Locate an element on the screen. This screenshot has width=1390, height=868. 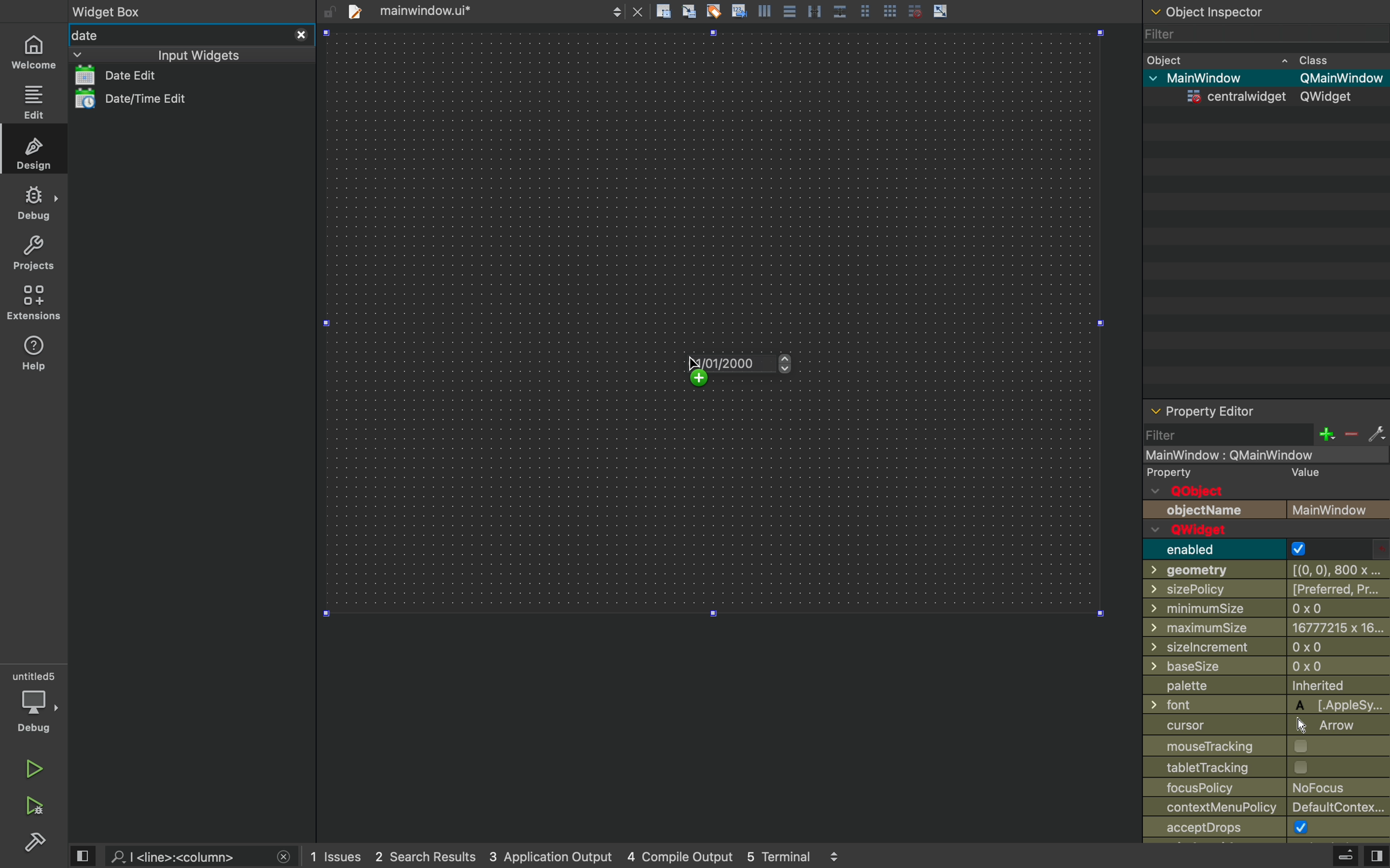
date list is located at coordinates (142, 75).